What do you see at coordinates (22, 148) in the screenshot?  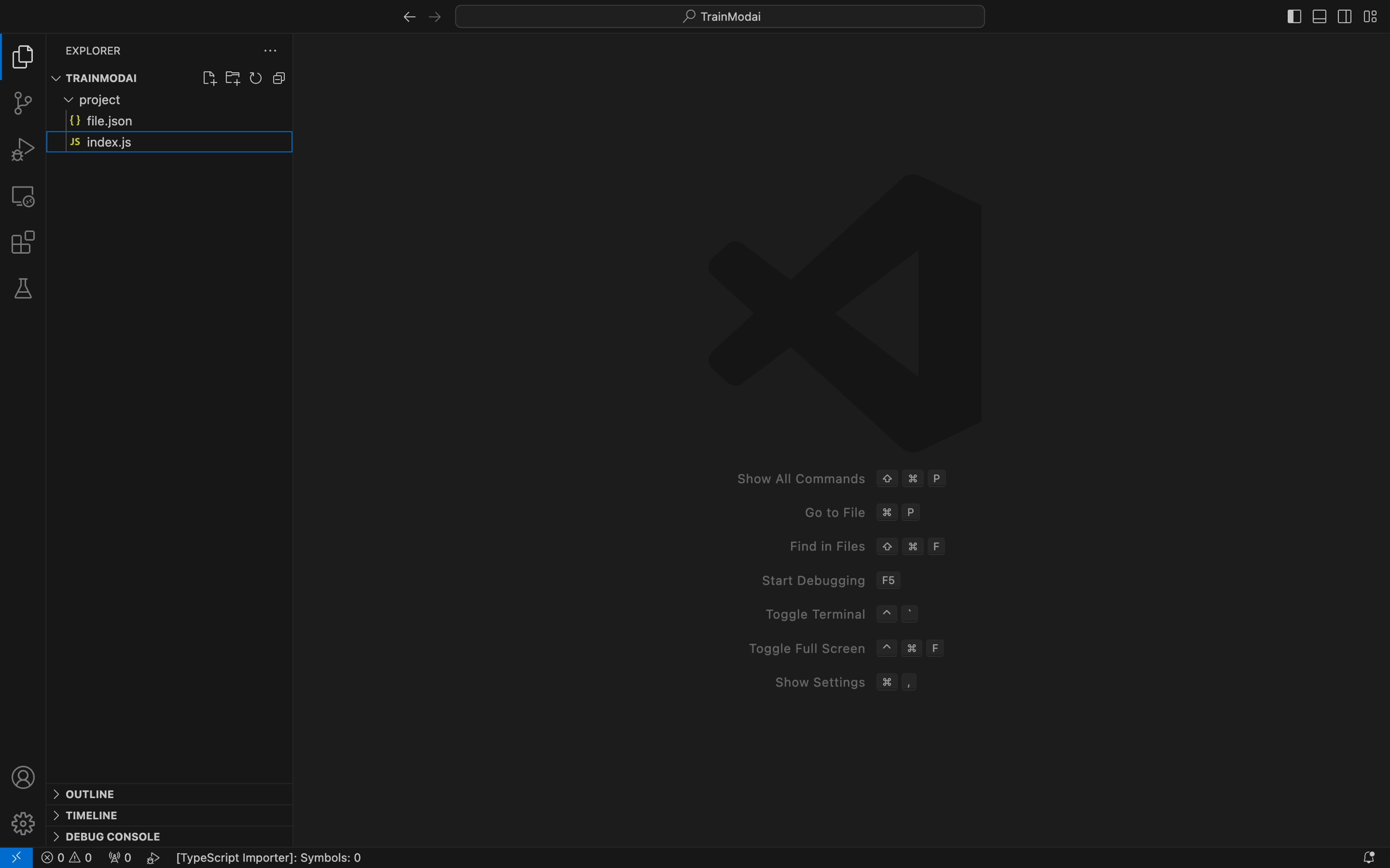 I see `debugger` at bounding box center [22, 148].